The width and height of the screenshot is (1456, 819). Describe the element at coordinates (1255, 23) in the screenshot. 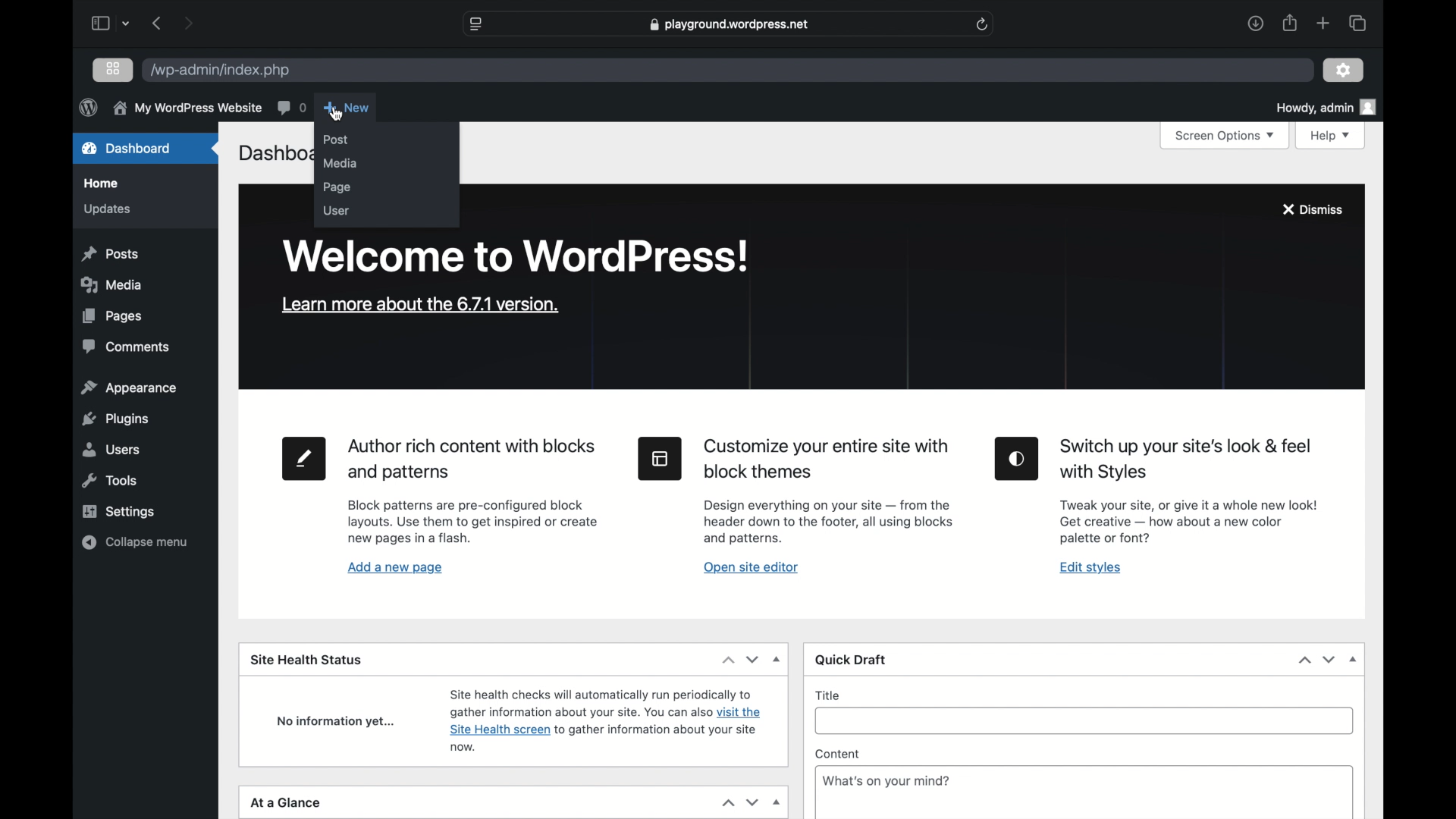

I see `downloads` at that location.